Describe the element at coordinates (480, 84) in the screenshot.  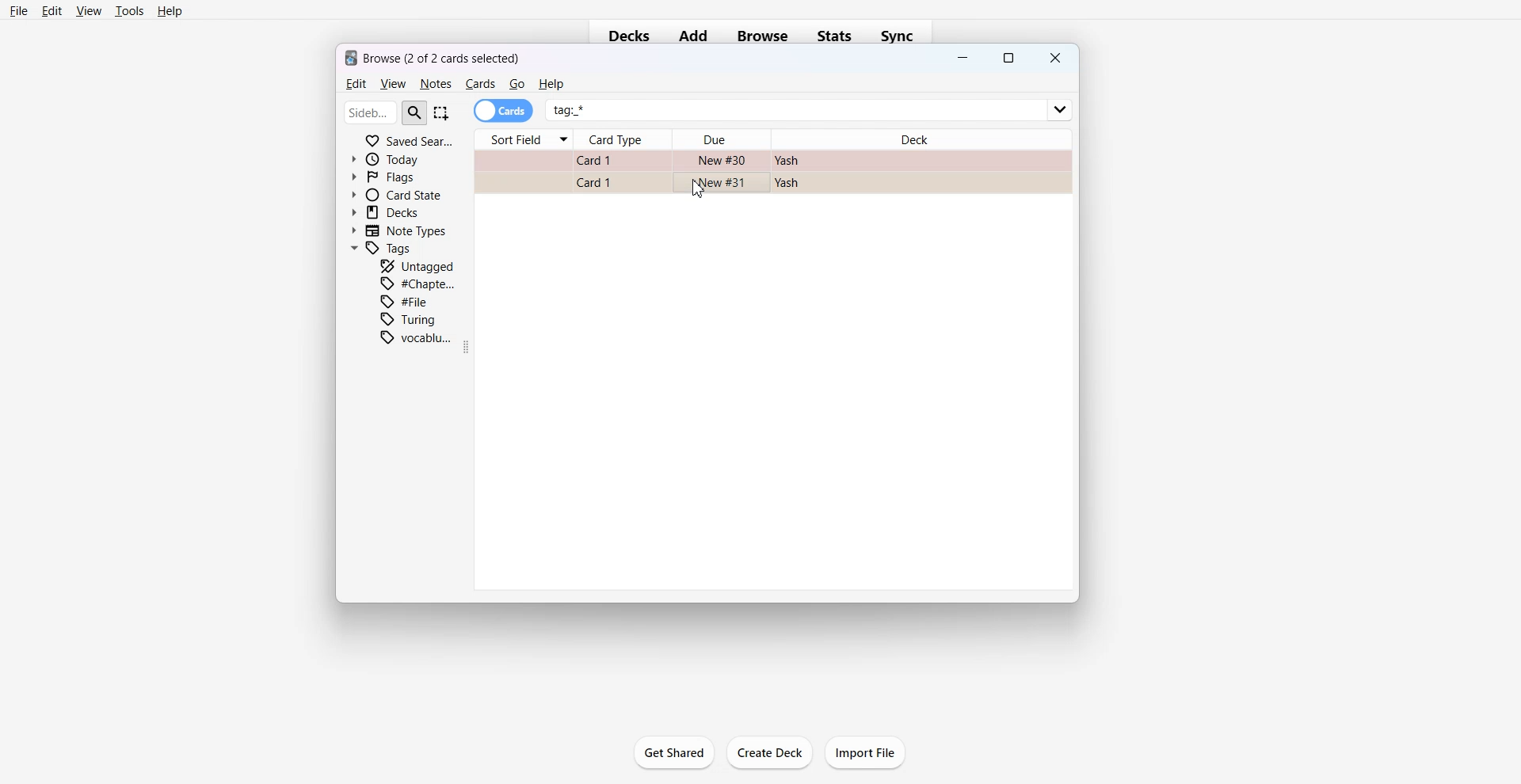
I see `Cards` at that location.